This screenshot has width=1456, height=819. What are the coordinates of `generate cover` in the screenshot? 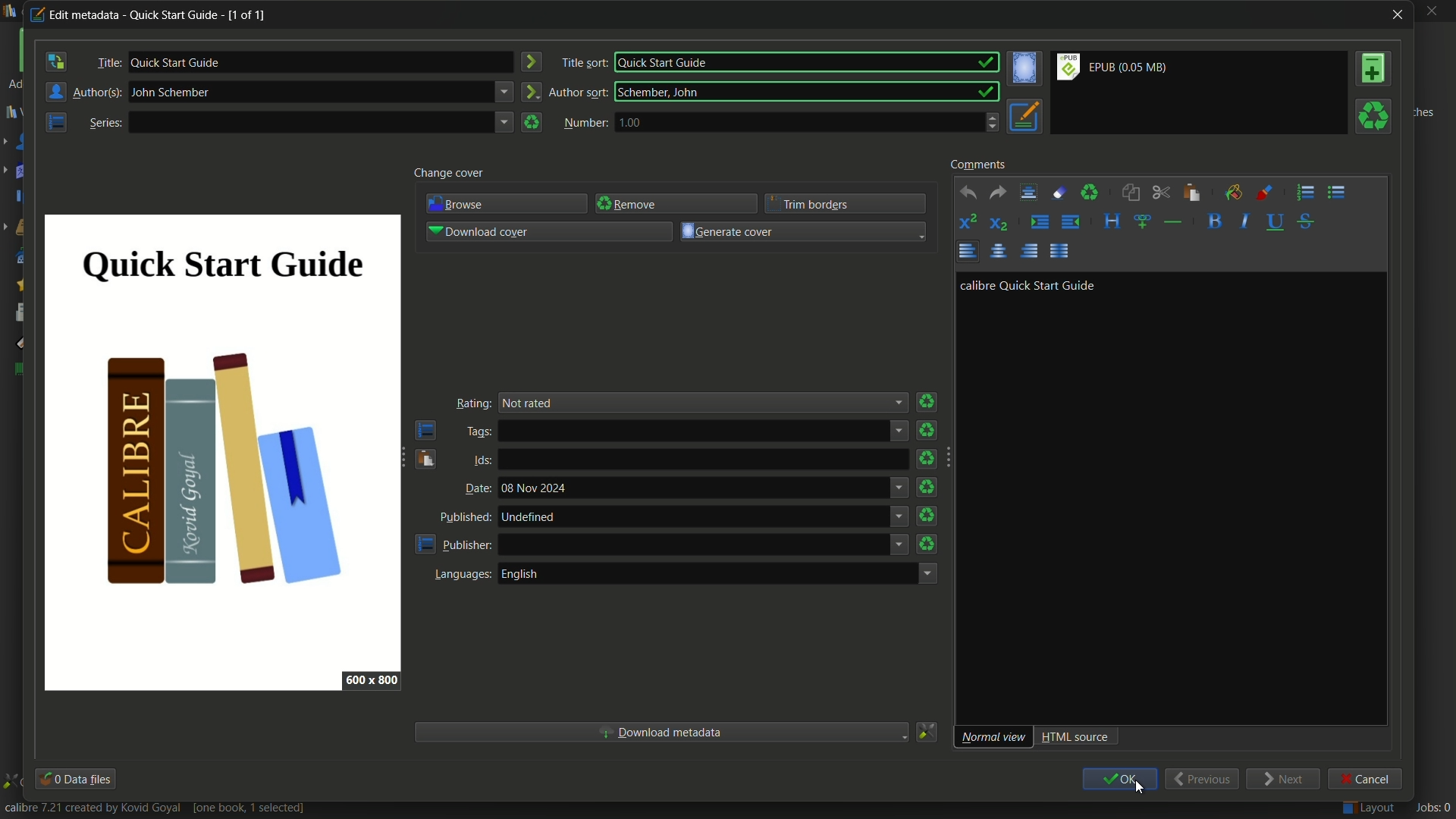 It's located at (805, 232).